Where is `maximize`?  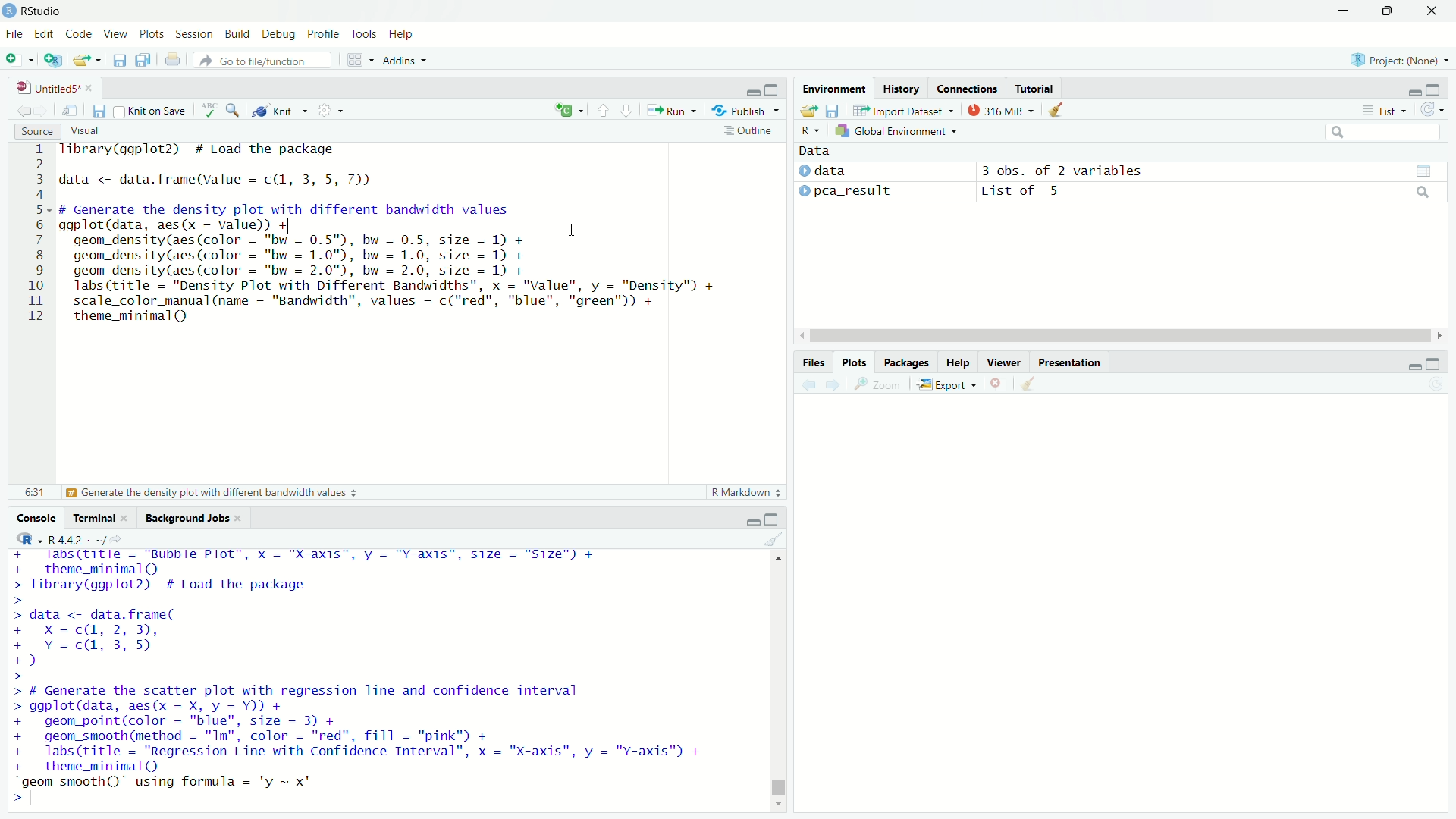
maximize is located at coordinates (1434, 363).